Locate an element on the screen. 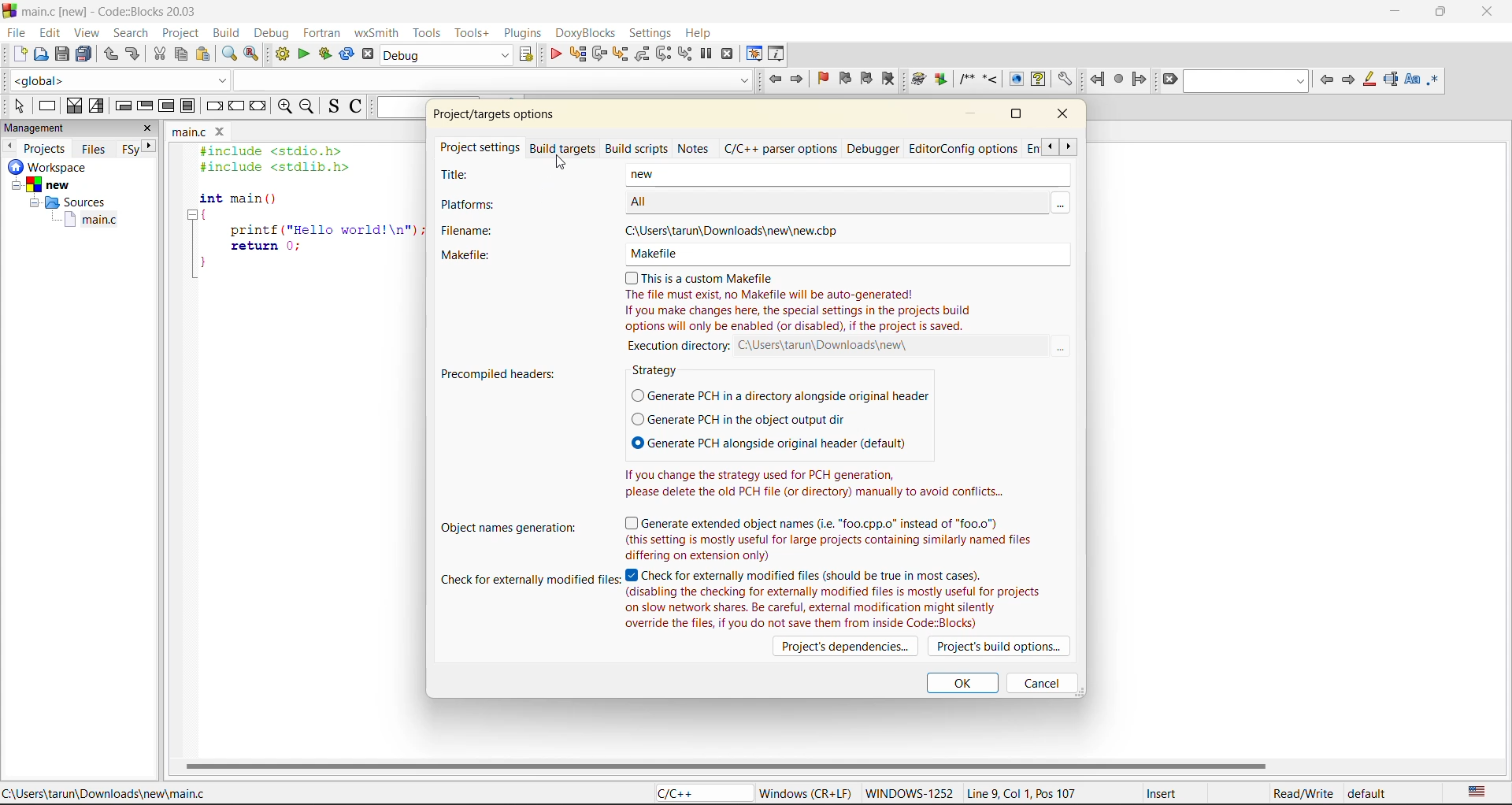 Image resolution: width=1512 pixels, height=805 pixels. Run HTML Help documentation is located at coordinates (1039, 80).